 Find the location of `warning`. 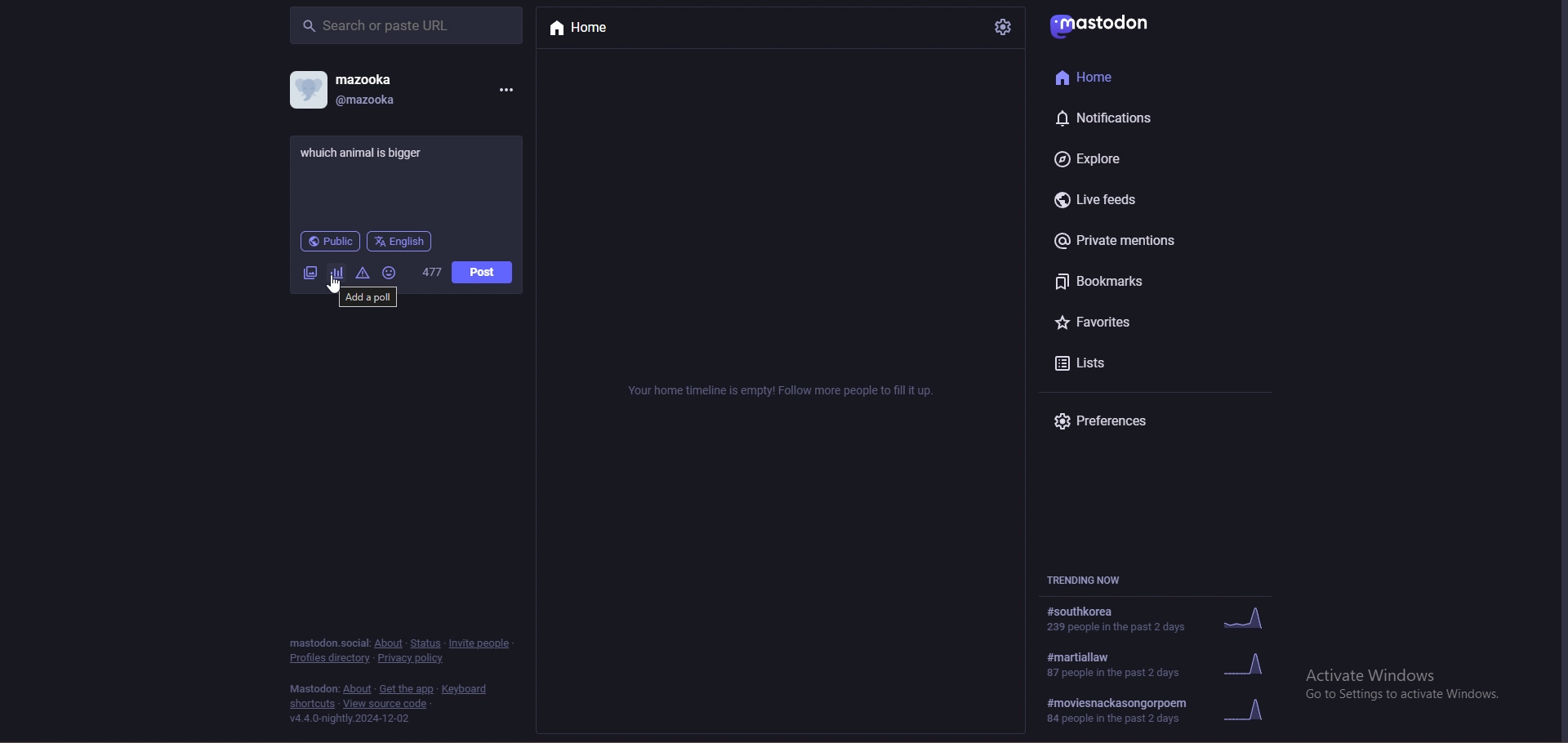

warning is located at coordinates (363, 274).